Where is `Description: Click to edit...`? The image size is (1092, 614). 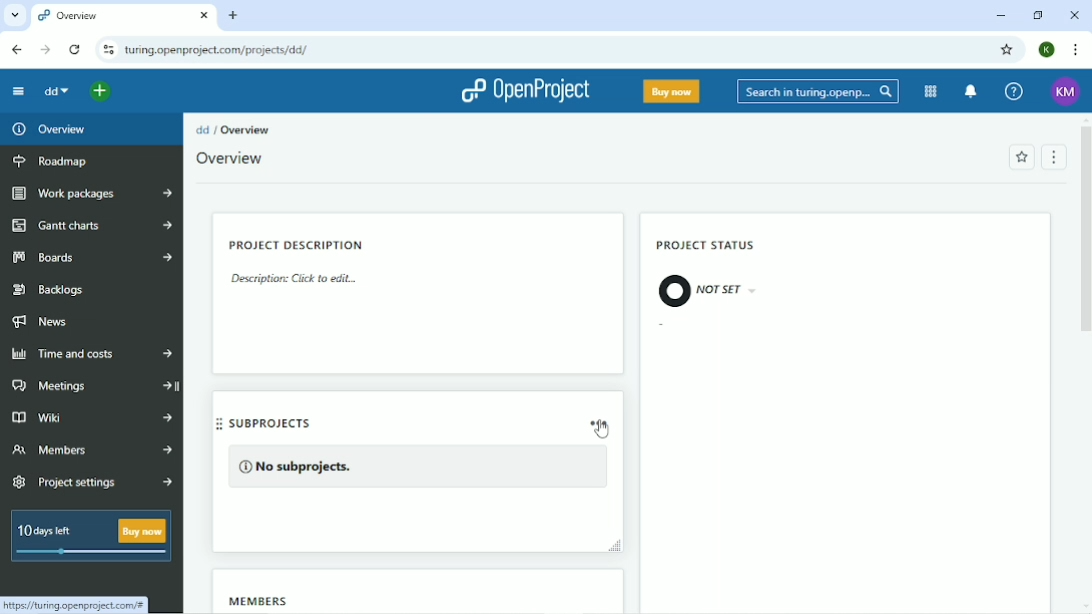
Description: Click to edit... is located at coordinates (298, 281).